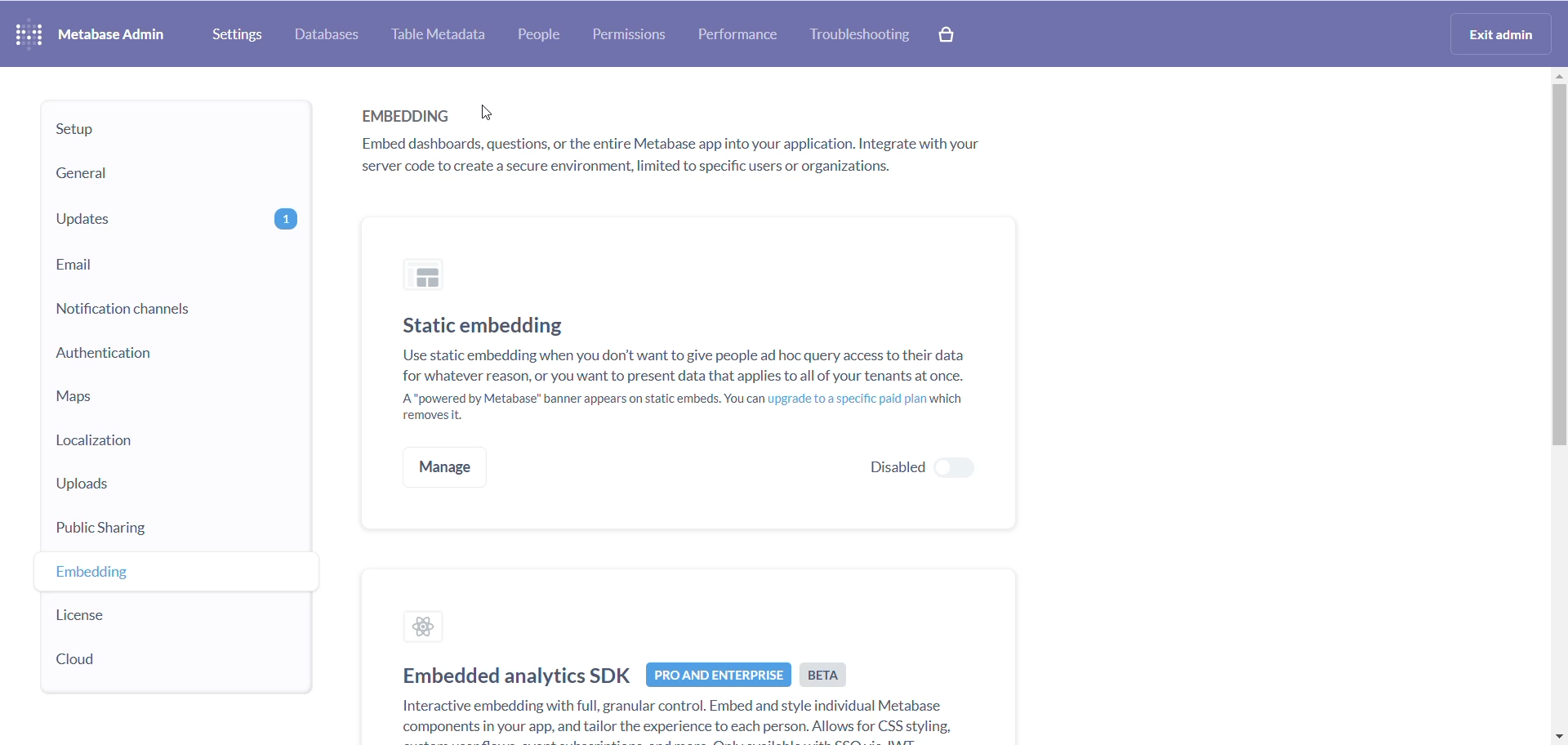 The width and height of the screenshot is (1568, 745). Describe the element at coordinates (151, 533) in the screenshot. I see `public sharing` at that location.